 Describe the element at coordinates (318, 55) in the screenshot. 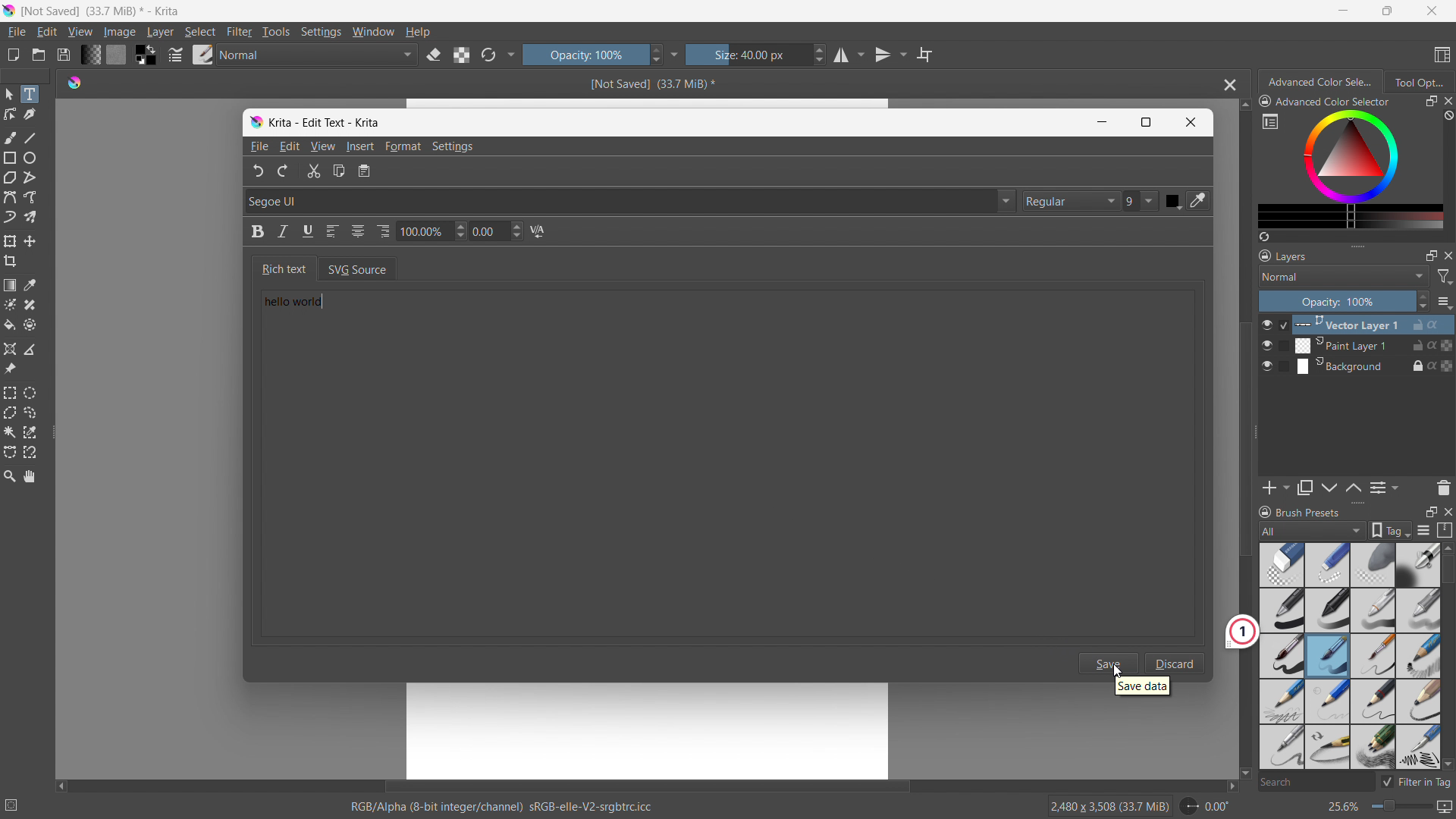

I see `blending mode` at that location.